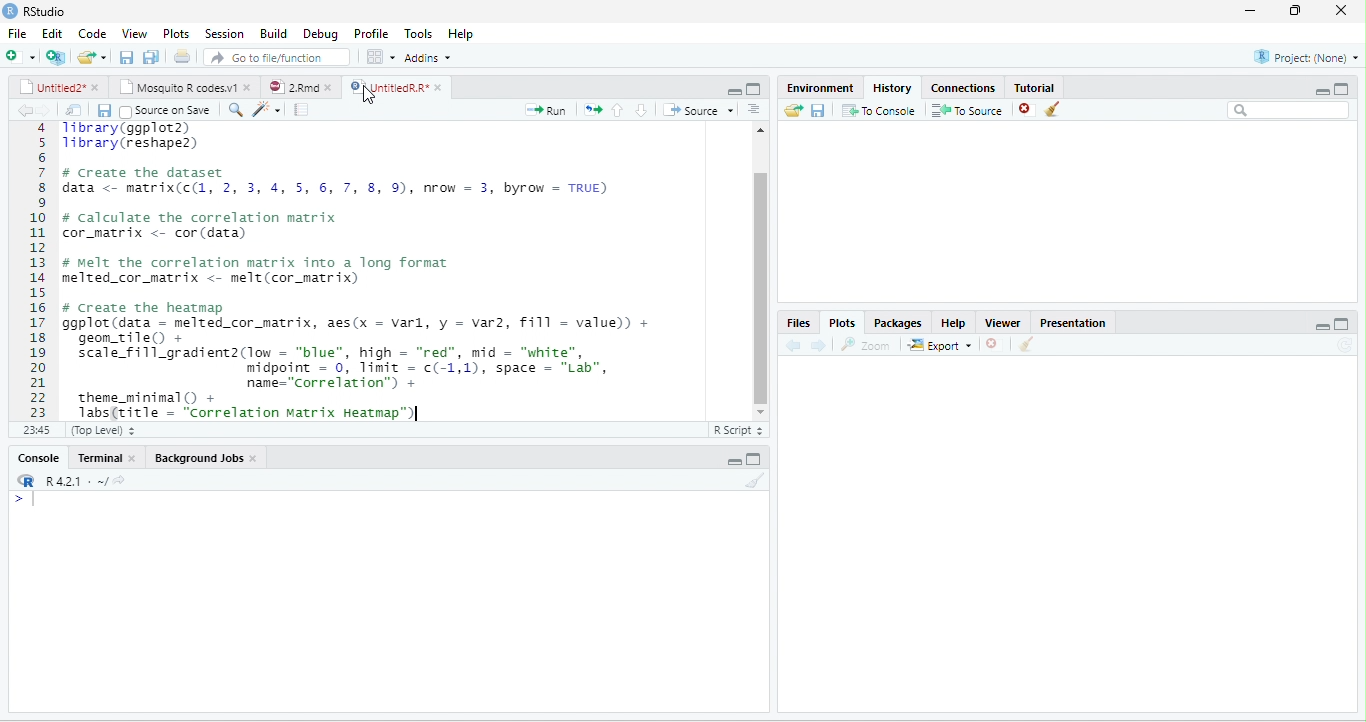 Image resolution: width=1366 pixels, height=722 pixels. I want to click on export, so click(940, 347).